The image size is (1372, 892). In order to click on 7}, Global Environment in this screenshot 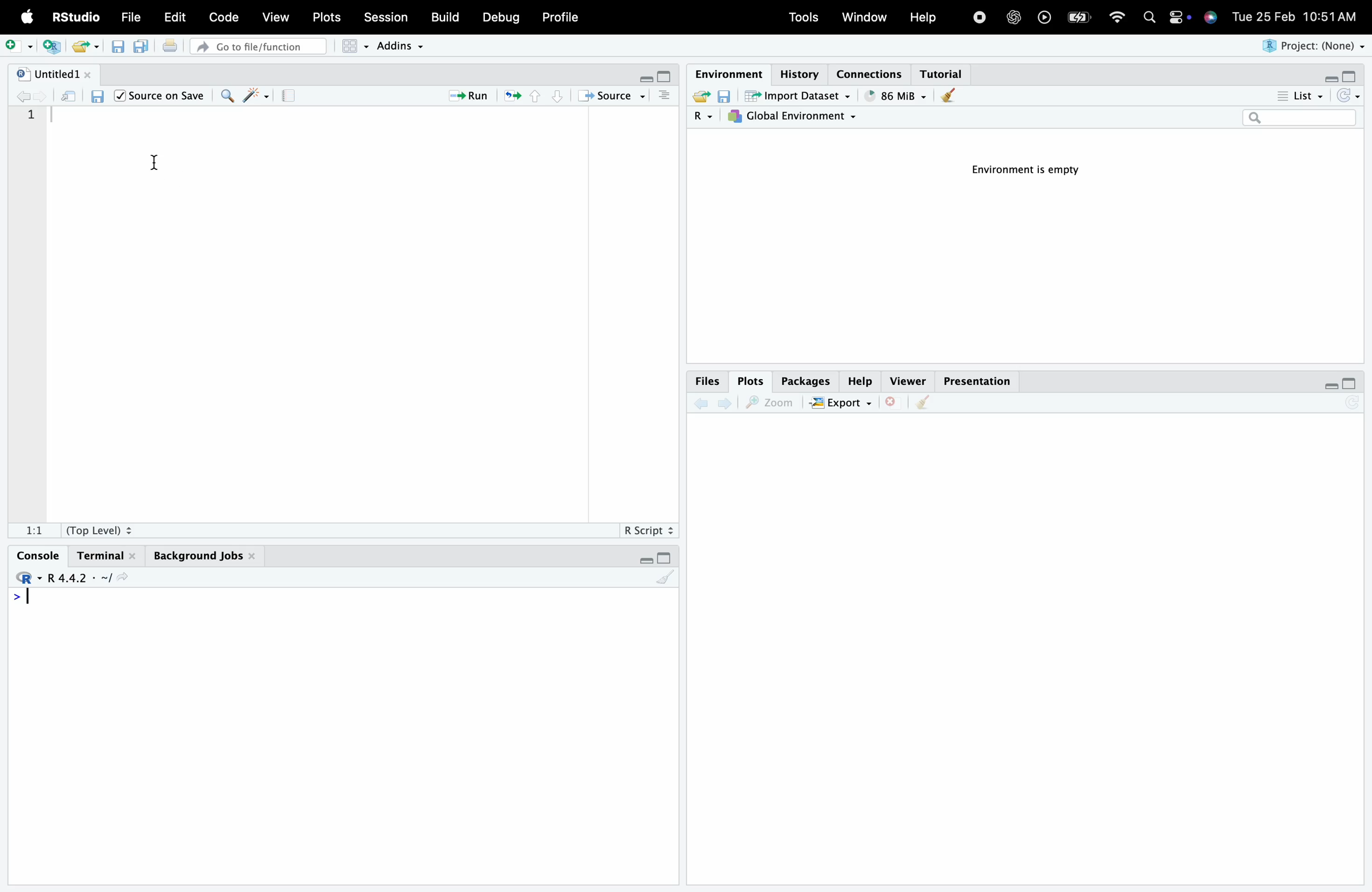, I will do `click(796, 116)`.